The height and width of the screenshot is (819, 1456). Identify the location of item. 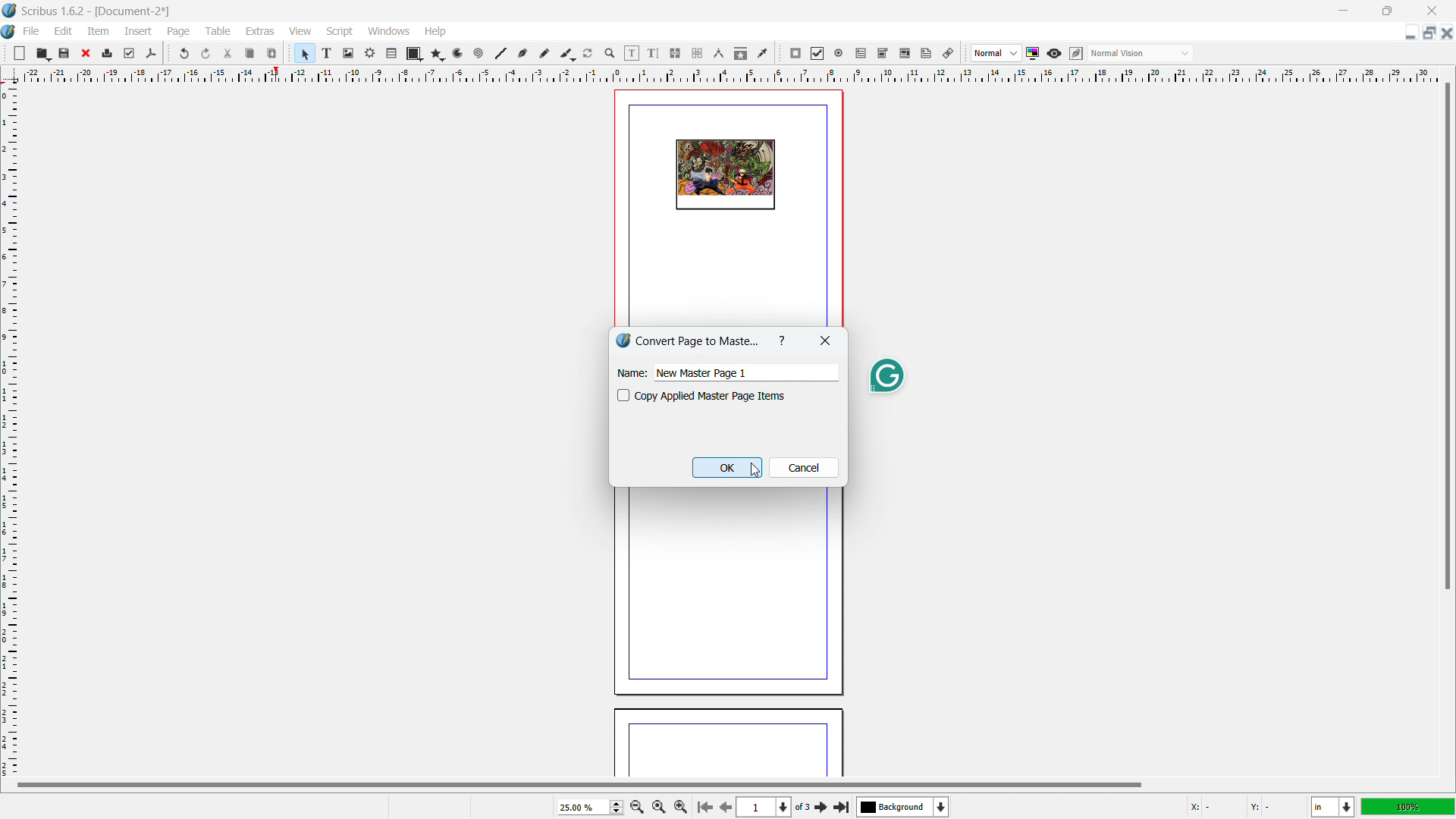
(99, 30).